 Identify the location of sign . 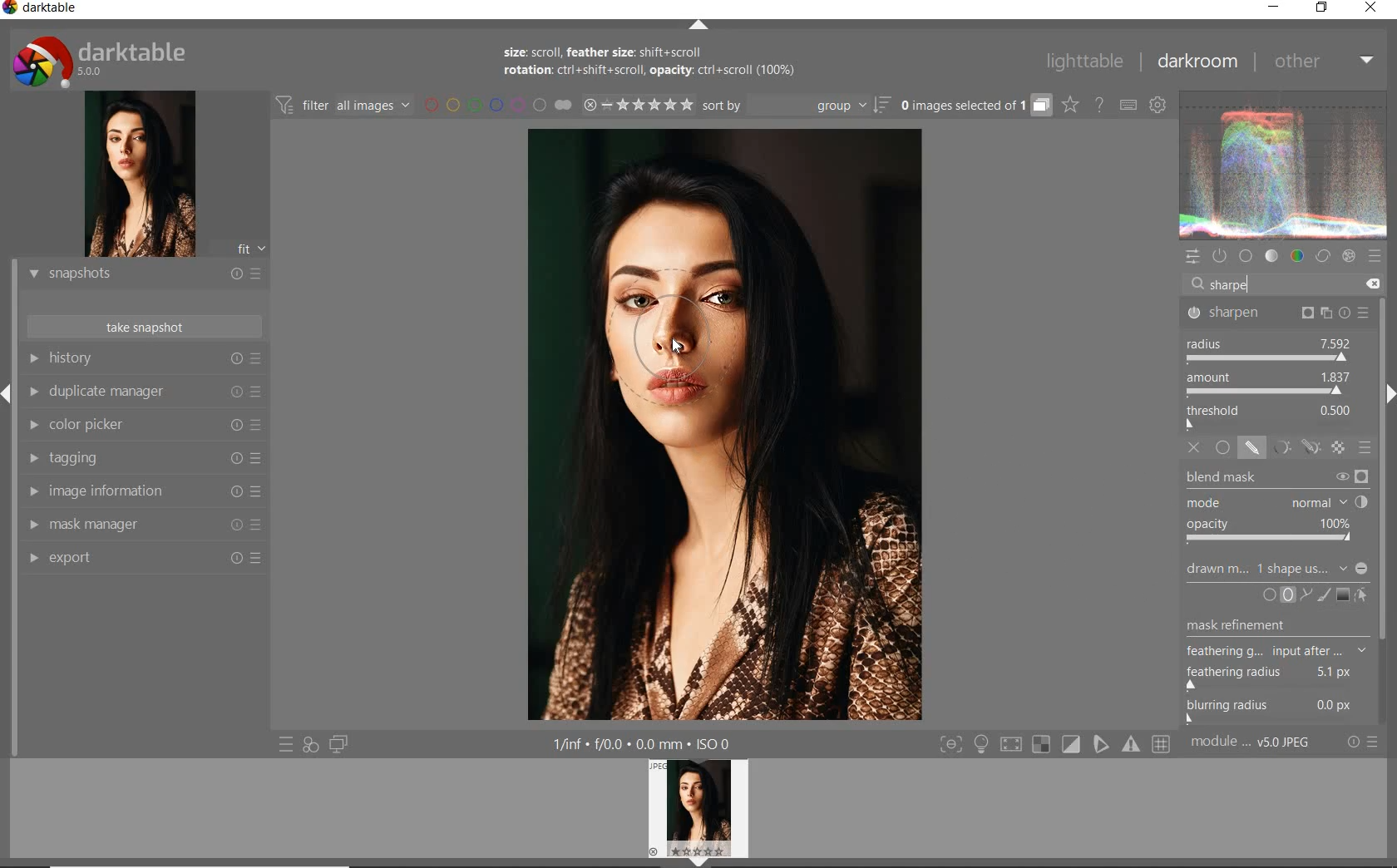
(1165, 746).